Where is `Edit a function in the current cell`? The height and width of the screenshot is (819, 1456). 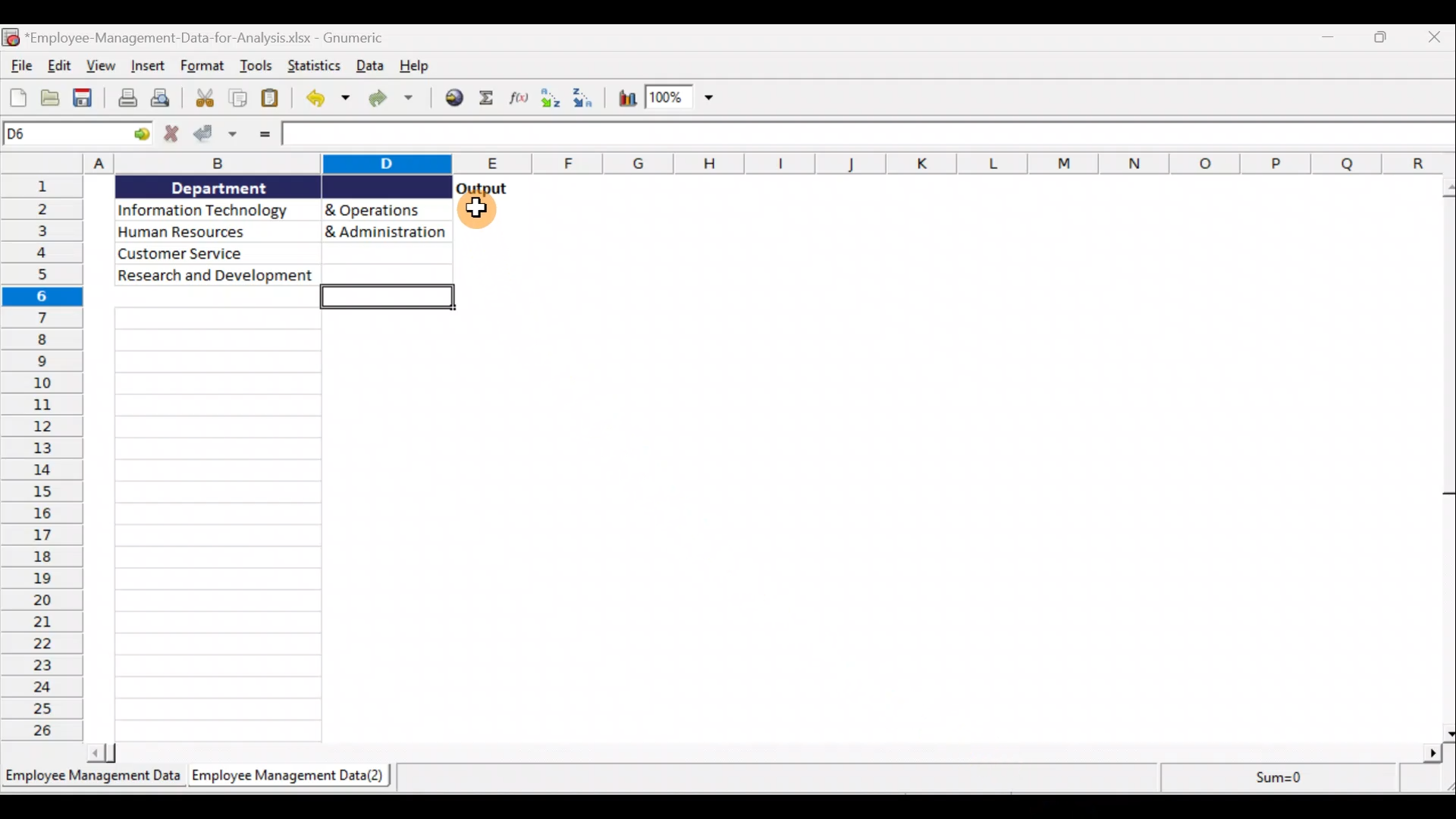
Edit a function in the current cell is located at coordinates (518, 96).